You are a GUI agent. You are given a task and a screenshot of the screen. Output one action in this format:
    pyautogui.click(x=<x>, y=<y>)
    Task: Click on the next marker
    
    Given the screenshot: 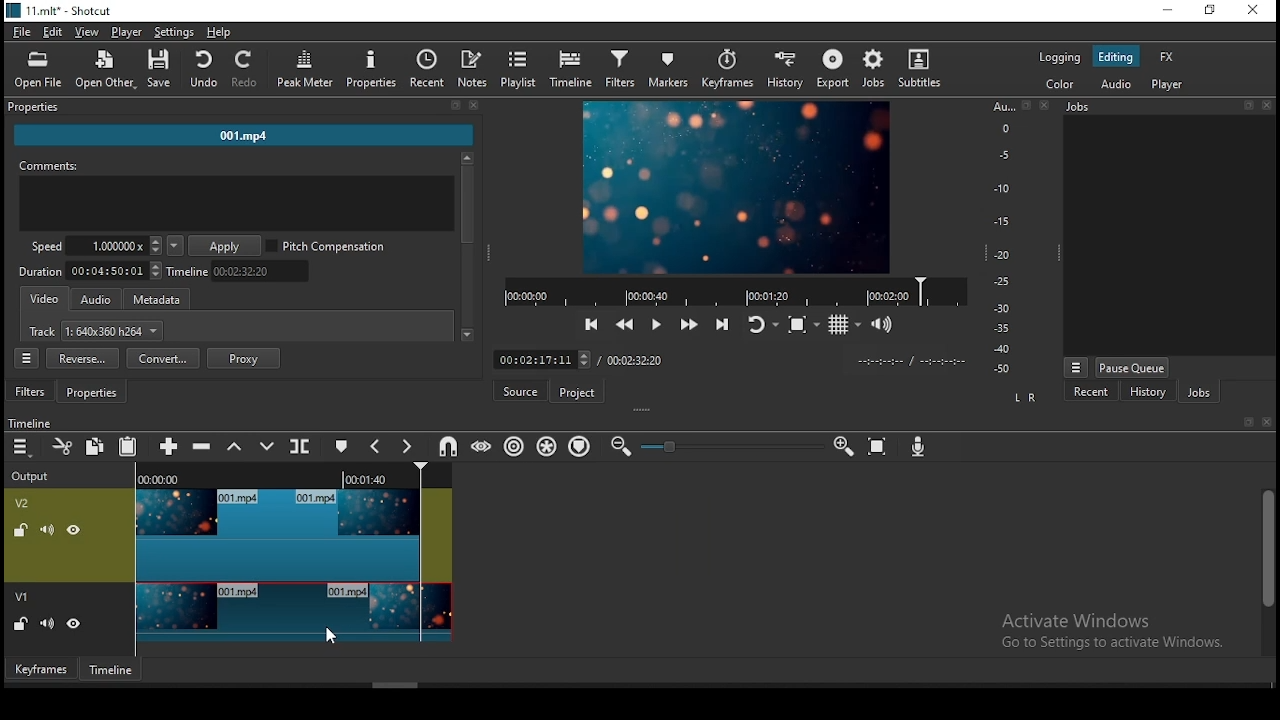 What is the action you would take?
    pyautogui.click(x=407, y=448)
    